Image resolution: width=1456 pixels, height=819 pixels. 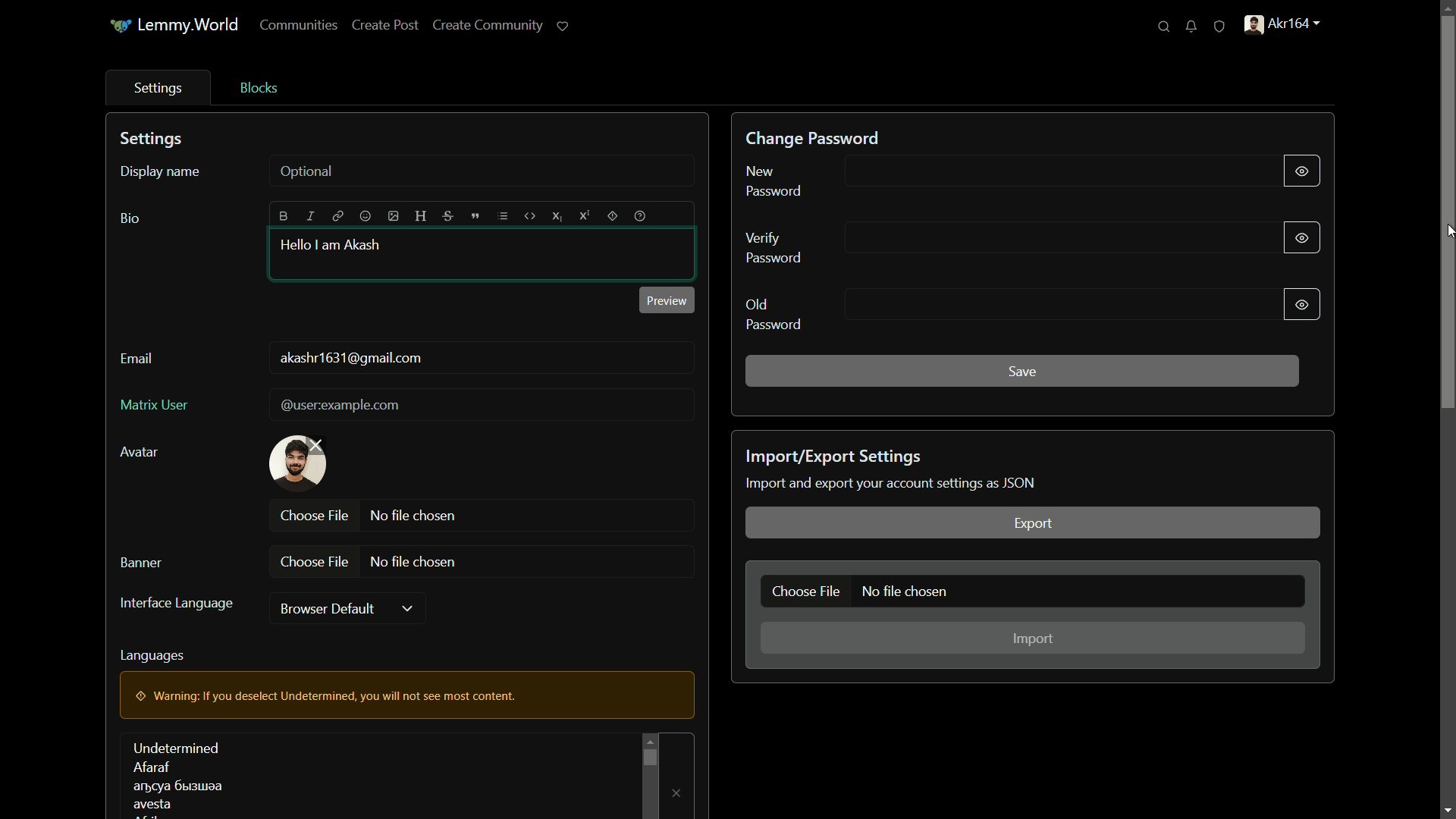 I want to click on bold, so click(x=284, y=217).